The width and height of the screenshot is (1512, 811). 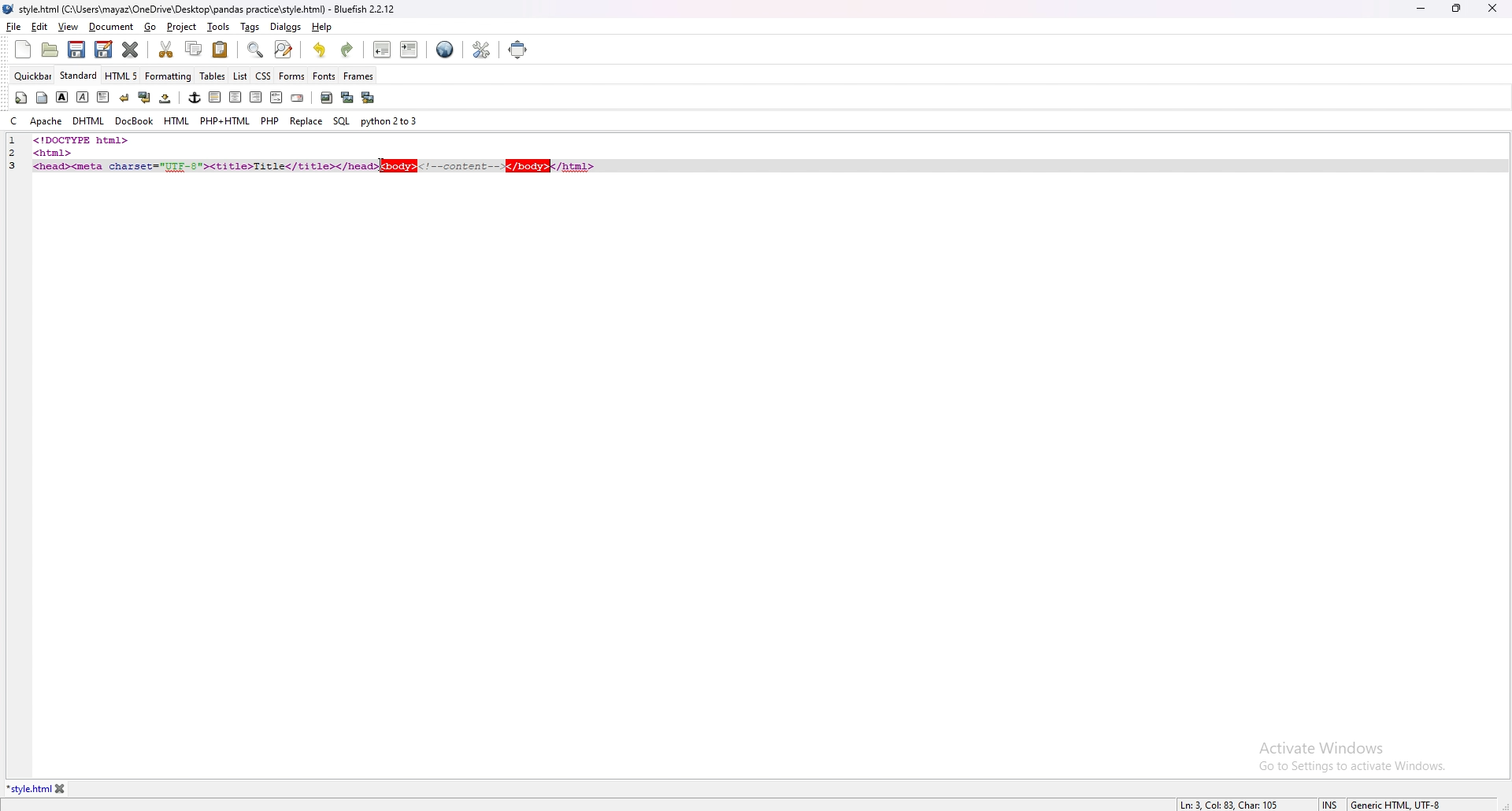 I want to click on resize, so click(x=1456, y=8).